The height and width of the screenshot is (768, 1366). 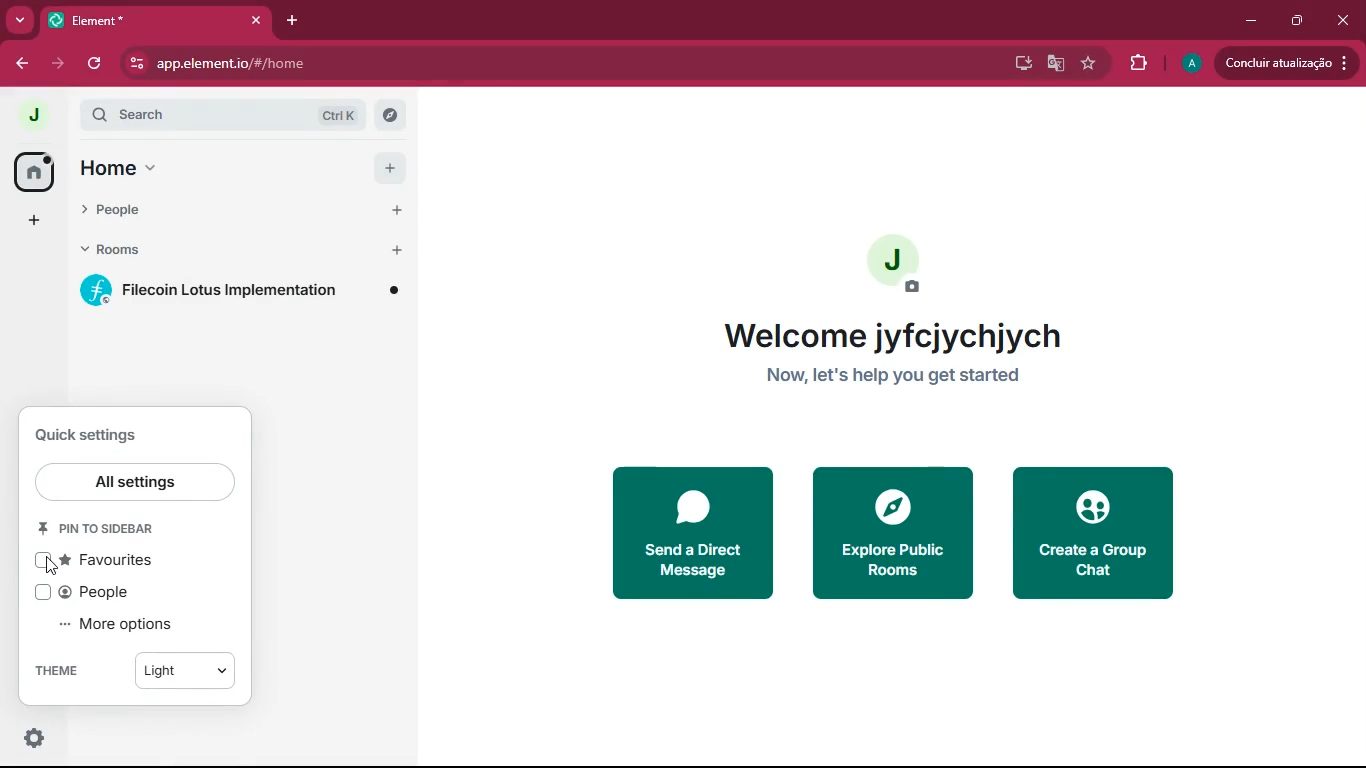 What do you see at coordinates (28, 738) in the screenshot?
I see `options` at bounding box center [28, 738].